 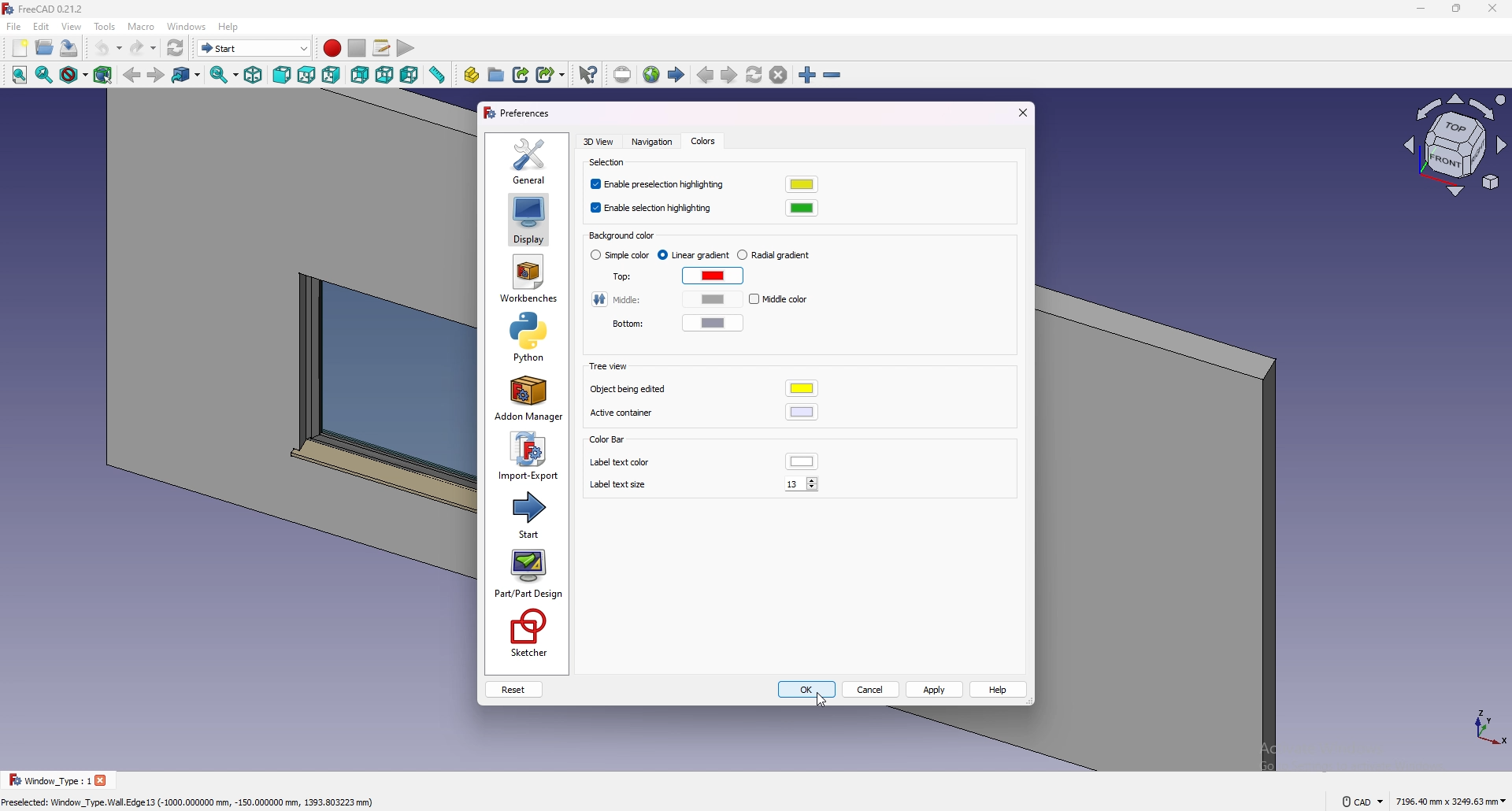 What do you see at coordinates (606, 367) in the screenshot?
I see `tree view` at bounding box center [606, 367].